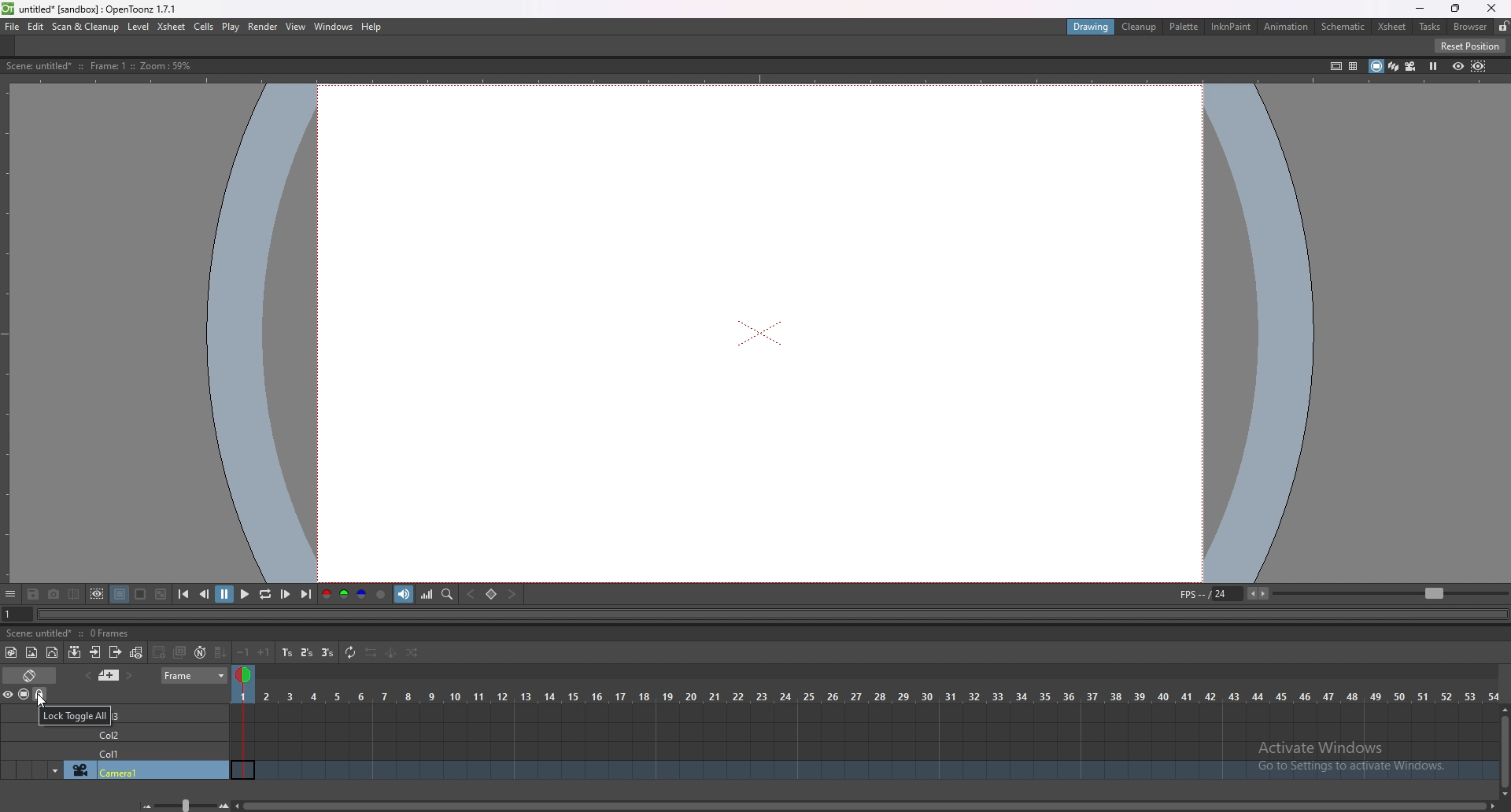 This screenshot has width=1511, height=812. Describe the element at coordinates (161, 652) in the screenshot. I see `create blank drawing` at that location.